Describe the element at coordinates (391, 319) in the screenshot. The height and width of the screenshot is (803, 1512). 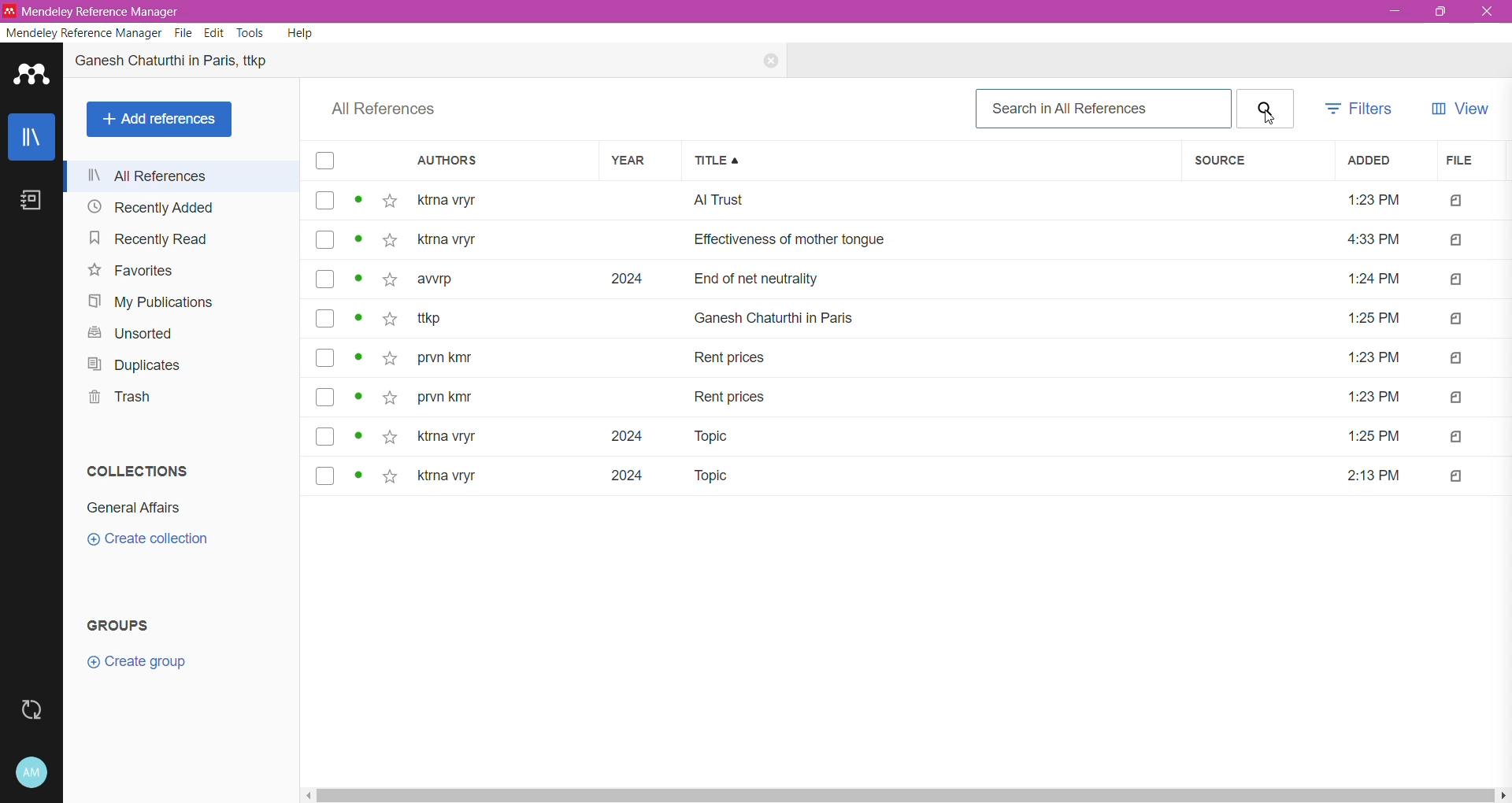
I see `add to favorites` at that location.